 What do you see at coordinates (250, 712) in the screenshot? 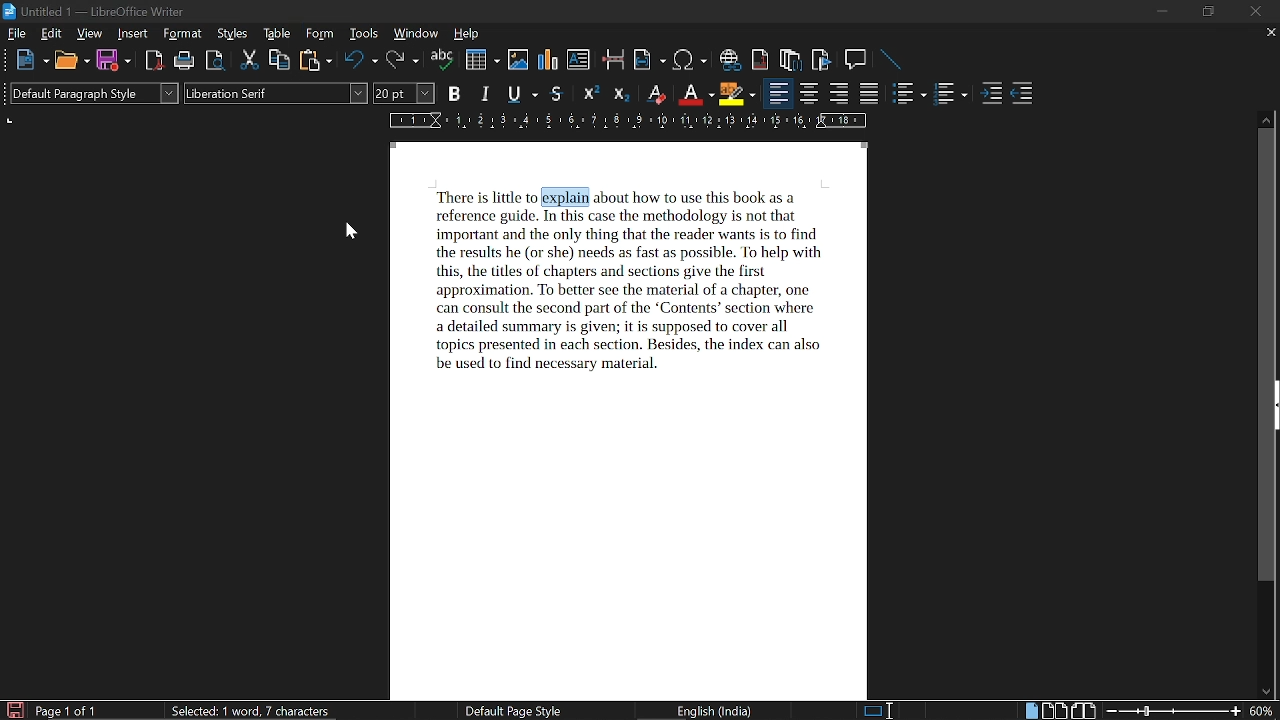
I see `selected: 1 word, 7 character` at bounding box center [250, 712].